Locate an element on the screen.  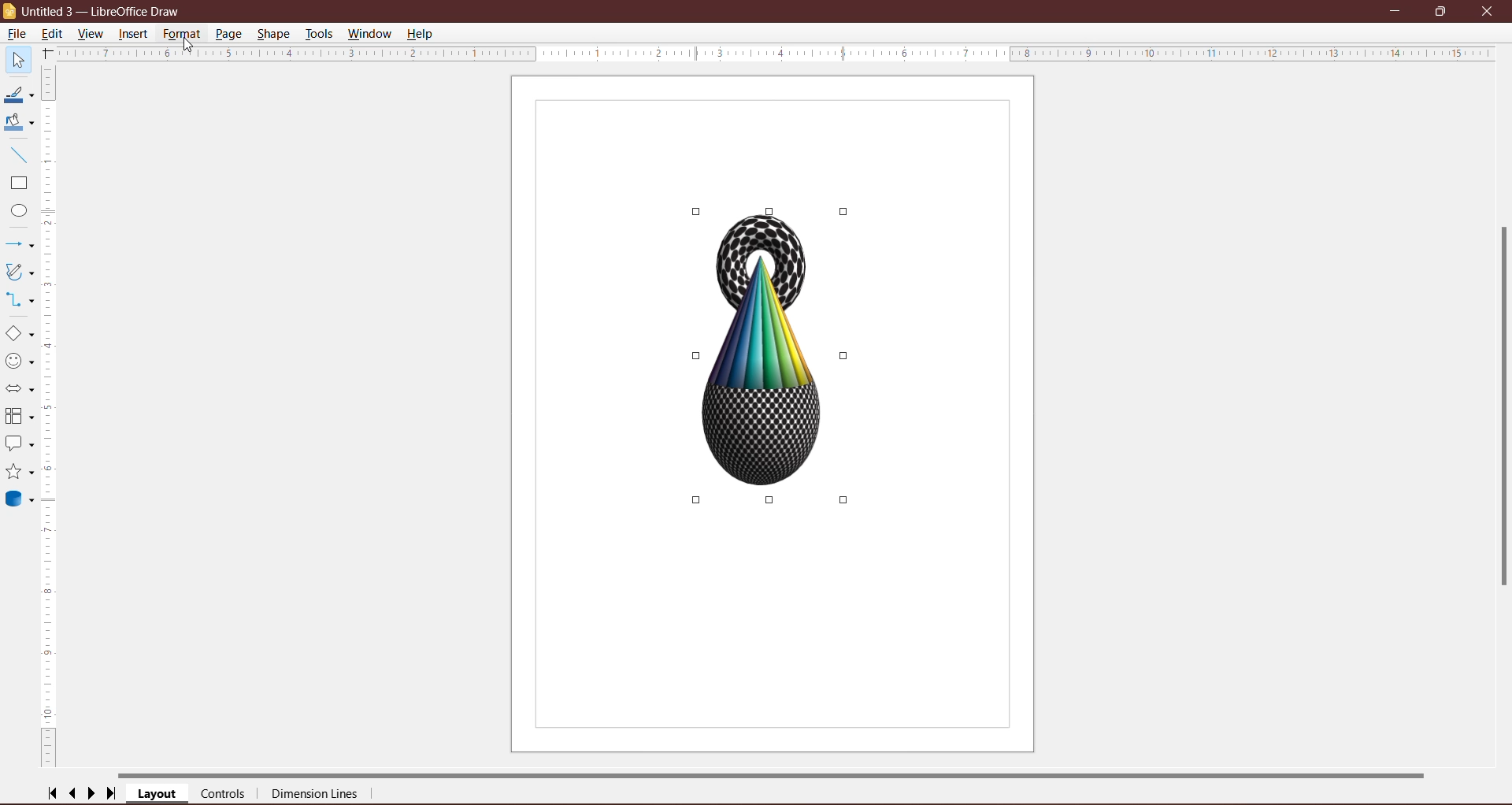
Select is located at coordinates (17, 59).